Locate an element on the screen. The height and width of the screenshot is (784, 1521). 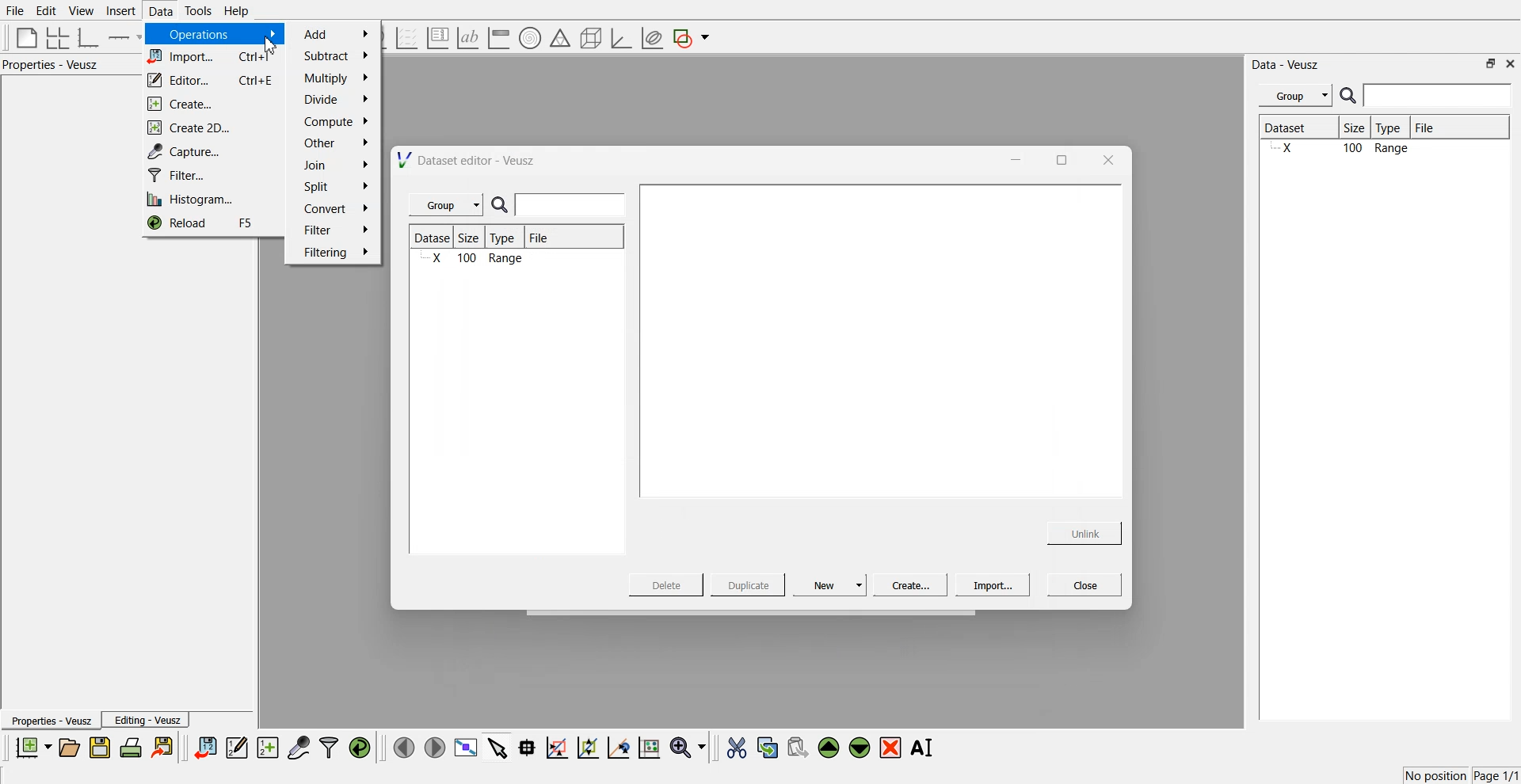
zoom funtions is located at coordinates (688, 748).